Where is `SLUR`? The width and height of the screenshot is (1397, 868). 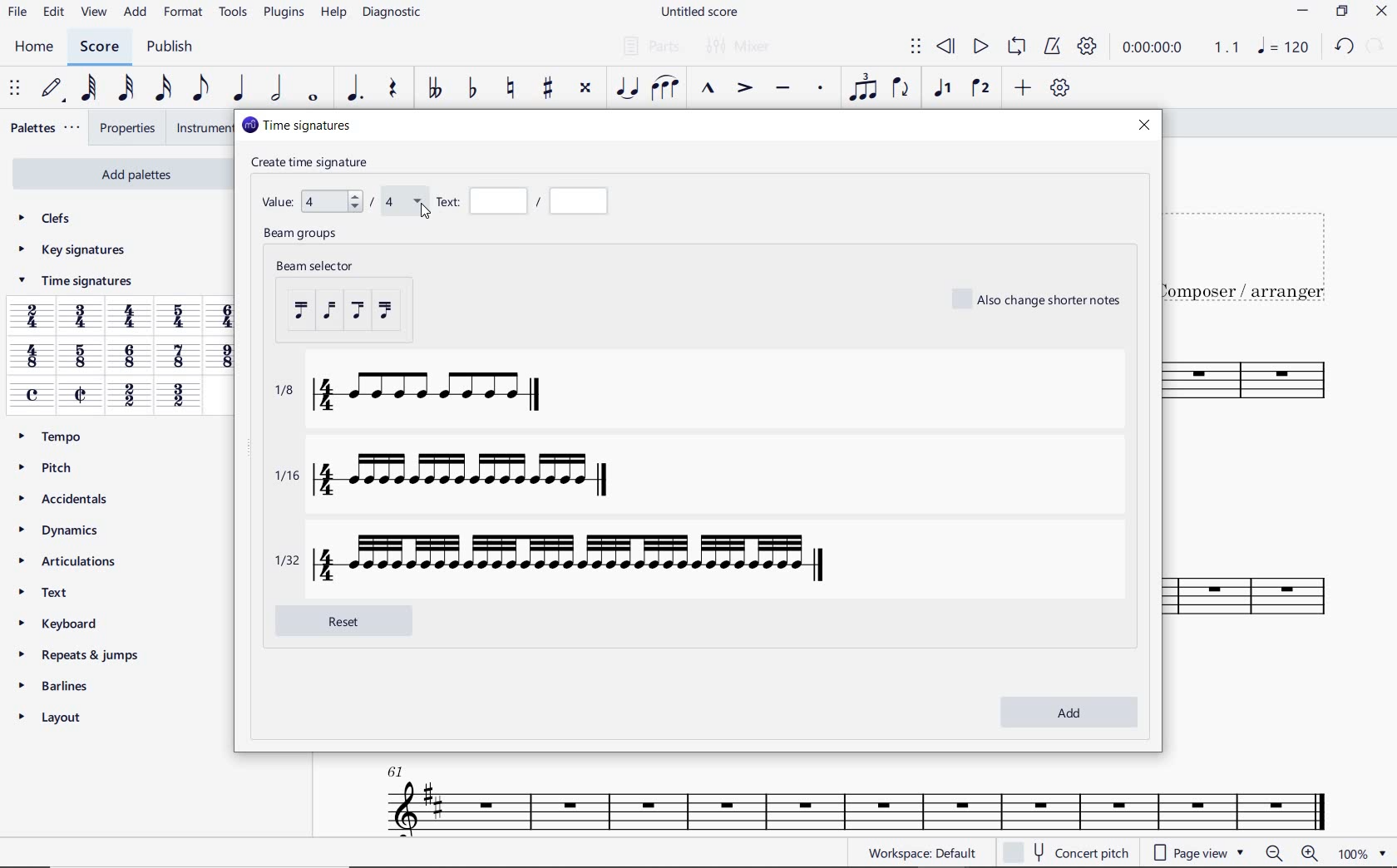 SLUR is located at coordinates (664, 88).